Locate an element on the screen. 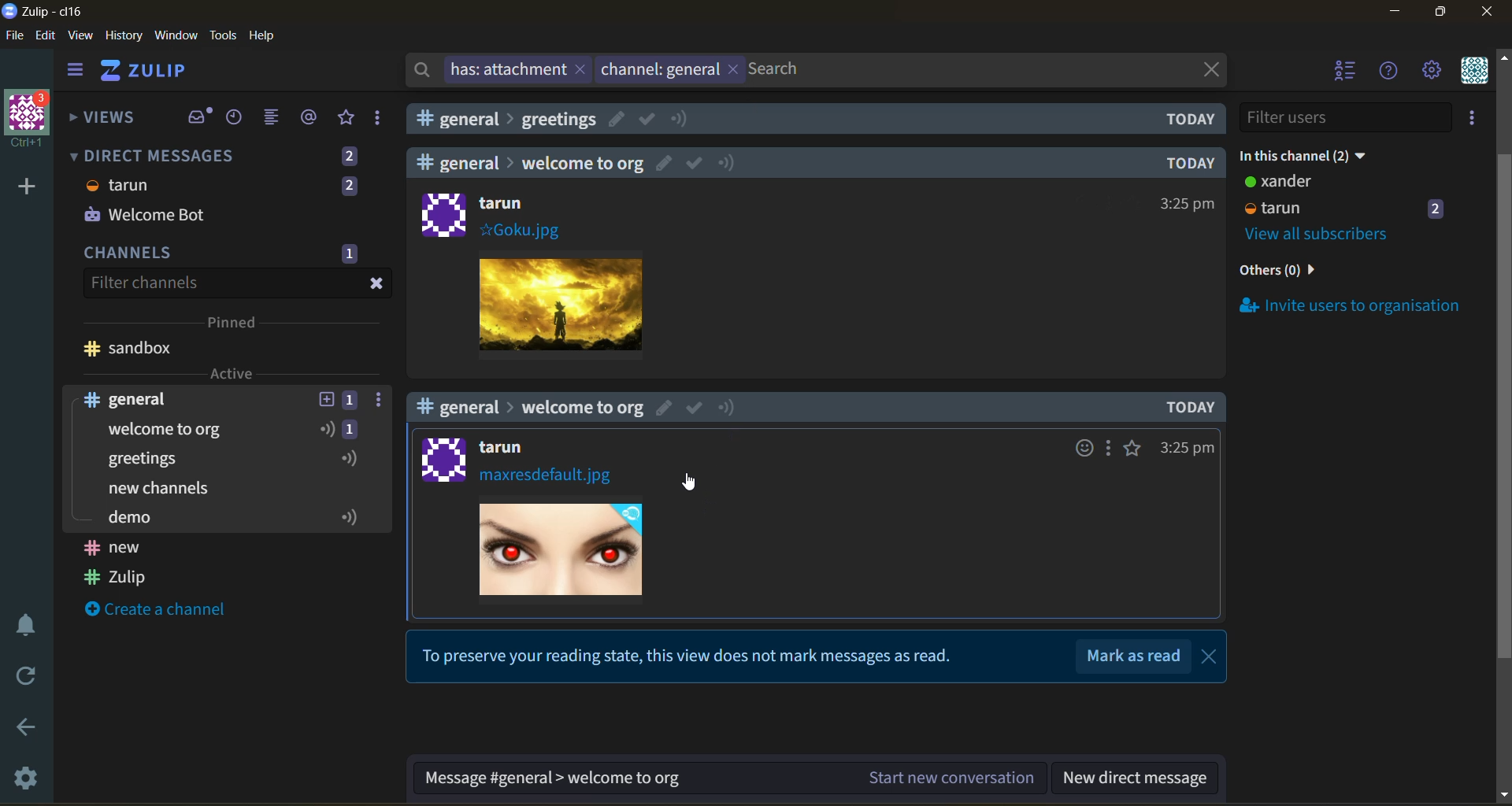 The image size is (1512, 806). tarun is located at coordinates (507, 447).